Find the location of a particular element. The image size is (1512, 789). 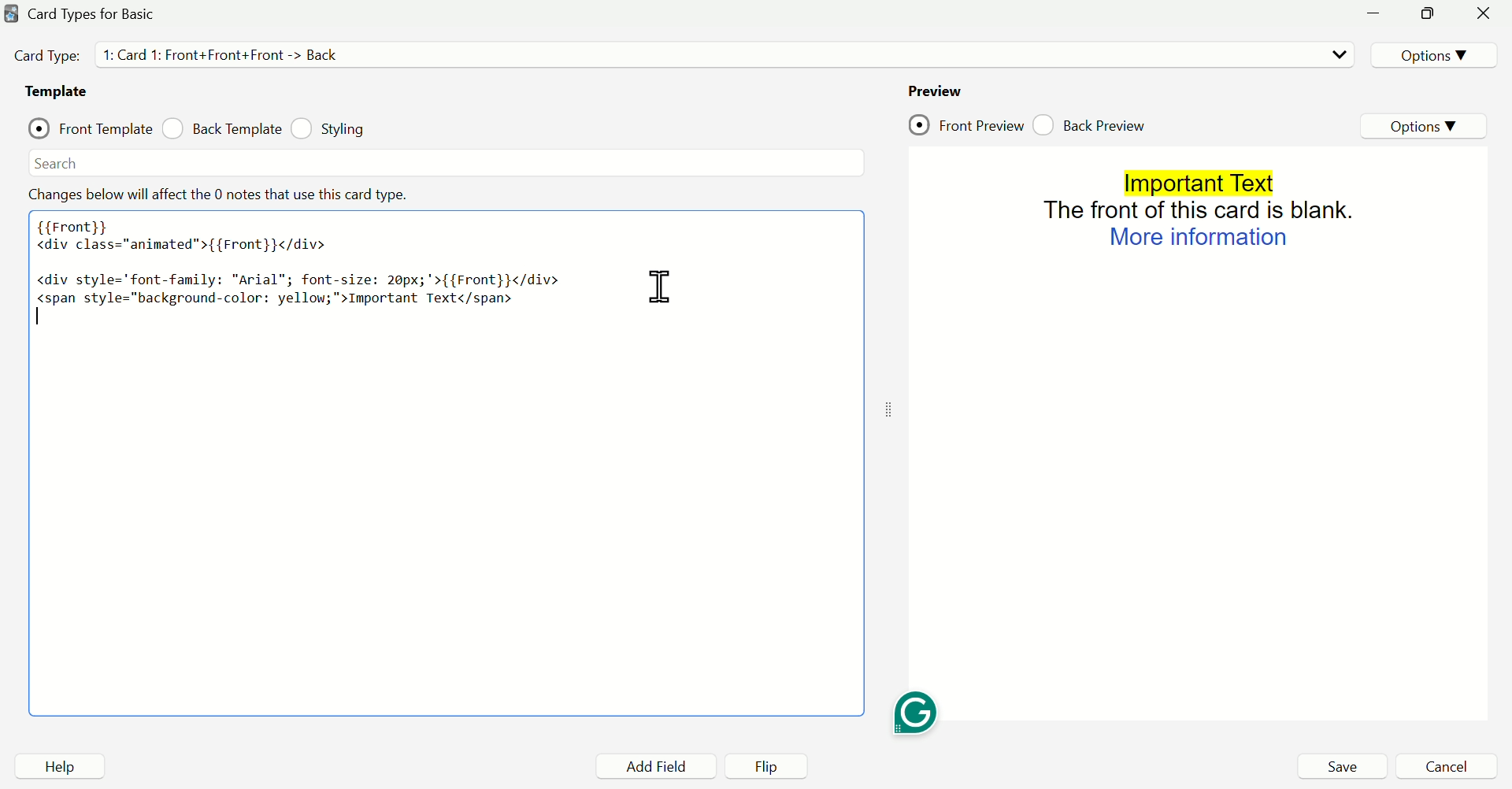

Maximize is located at coordinates (1426, 13).